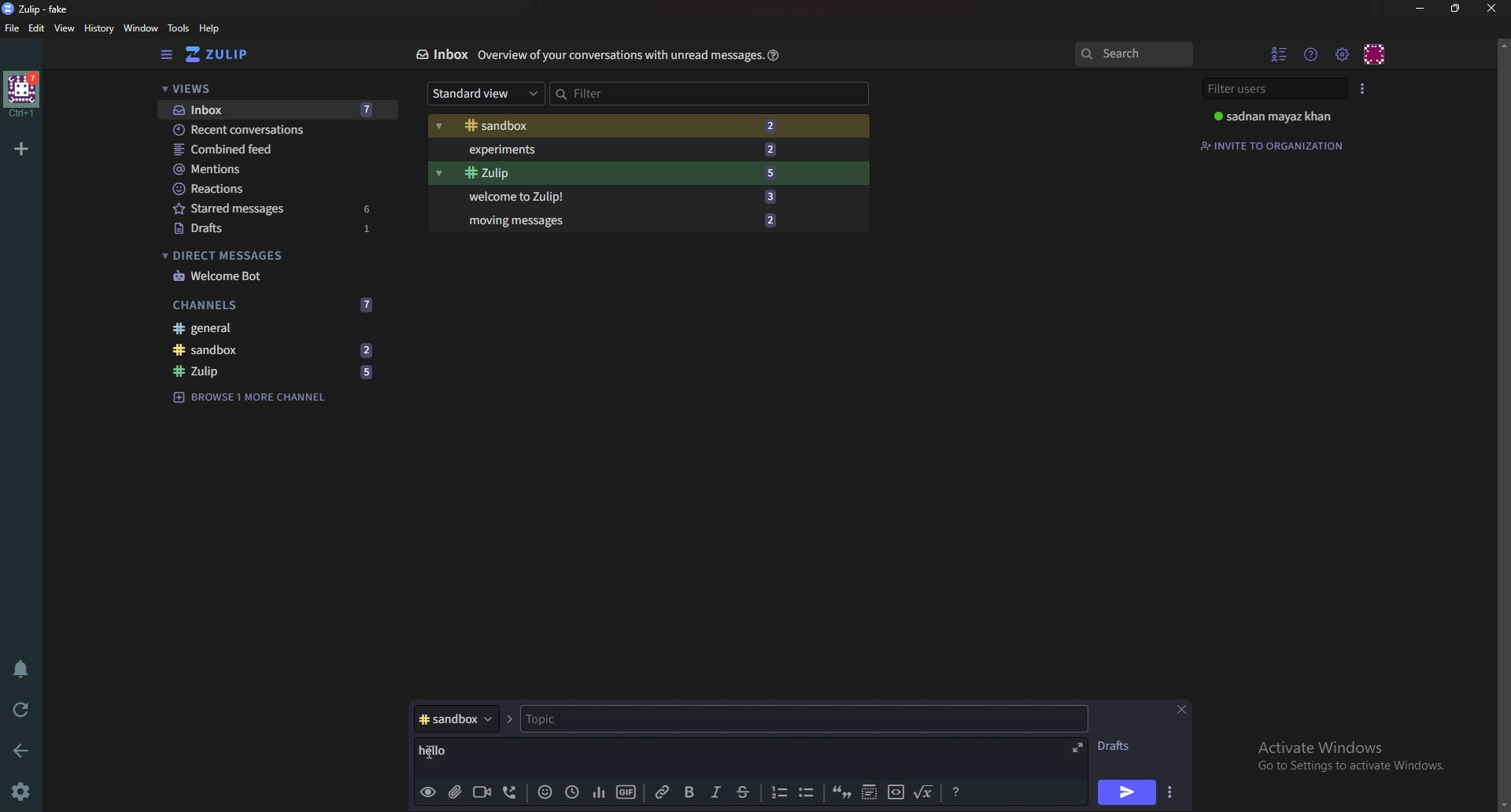 The width and height of the screenshot is (1511, 812). Describe the element at coordinates (283, 130) in the screenshot. I see `Recent conversations` at that location.